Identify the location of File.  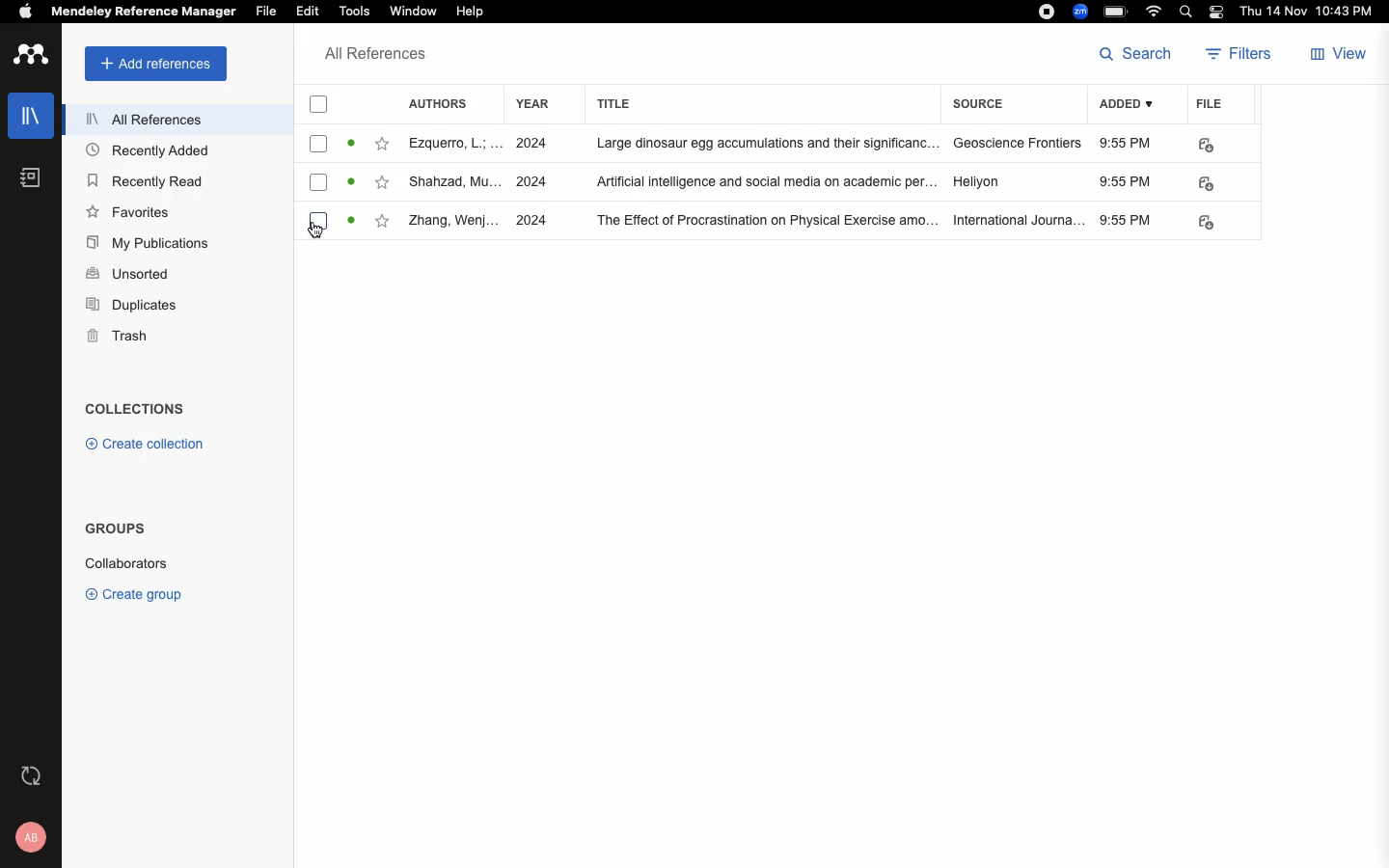
(267, 12).